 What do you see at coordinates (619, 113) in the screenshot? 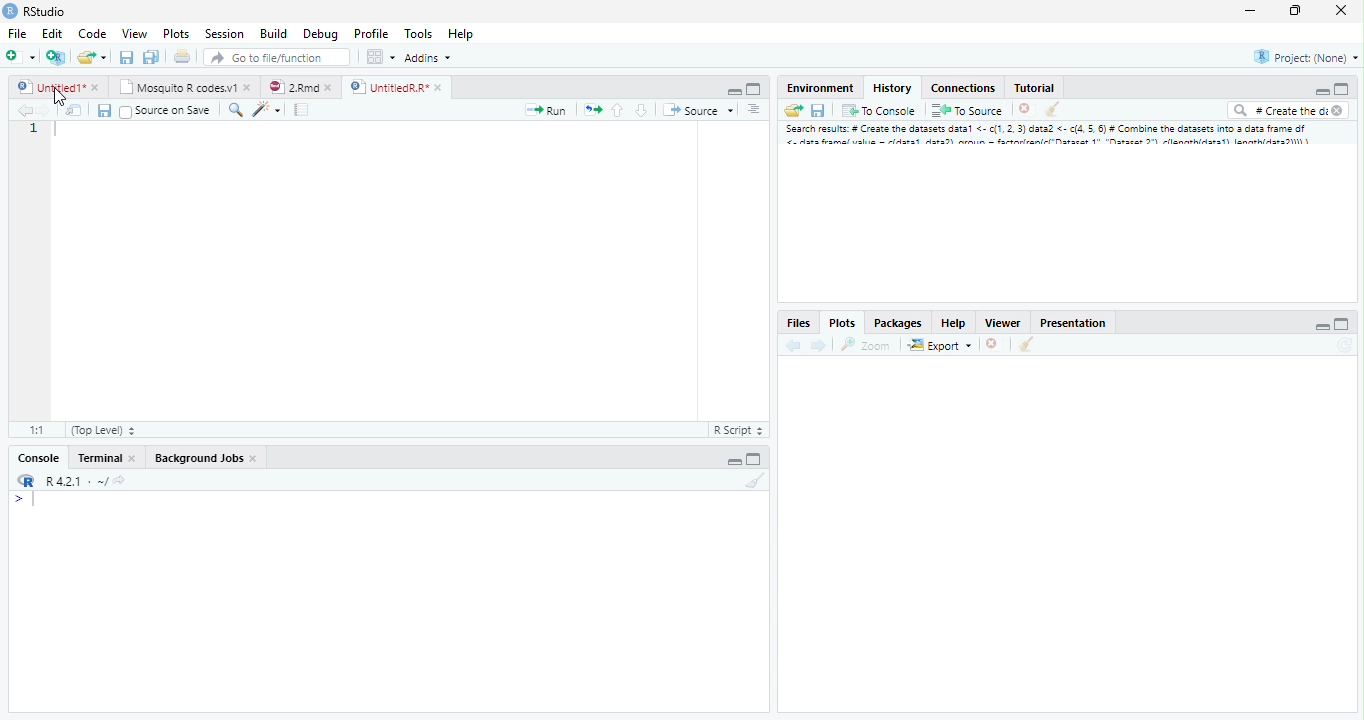
I see `Go to the previous section` at bounding box center [619, 113].